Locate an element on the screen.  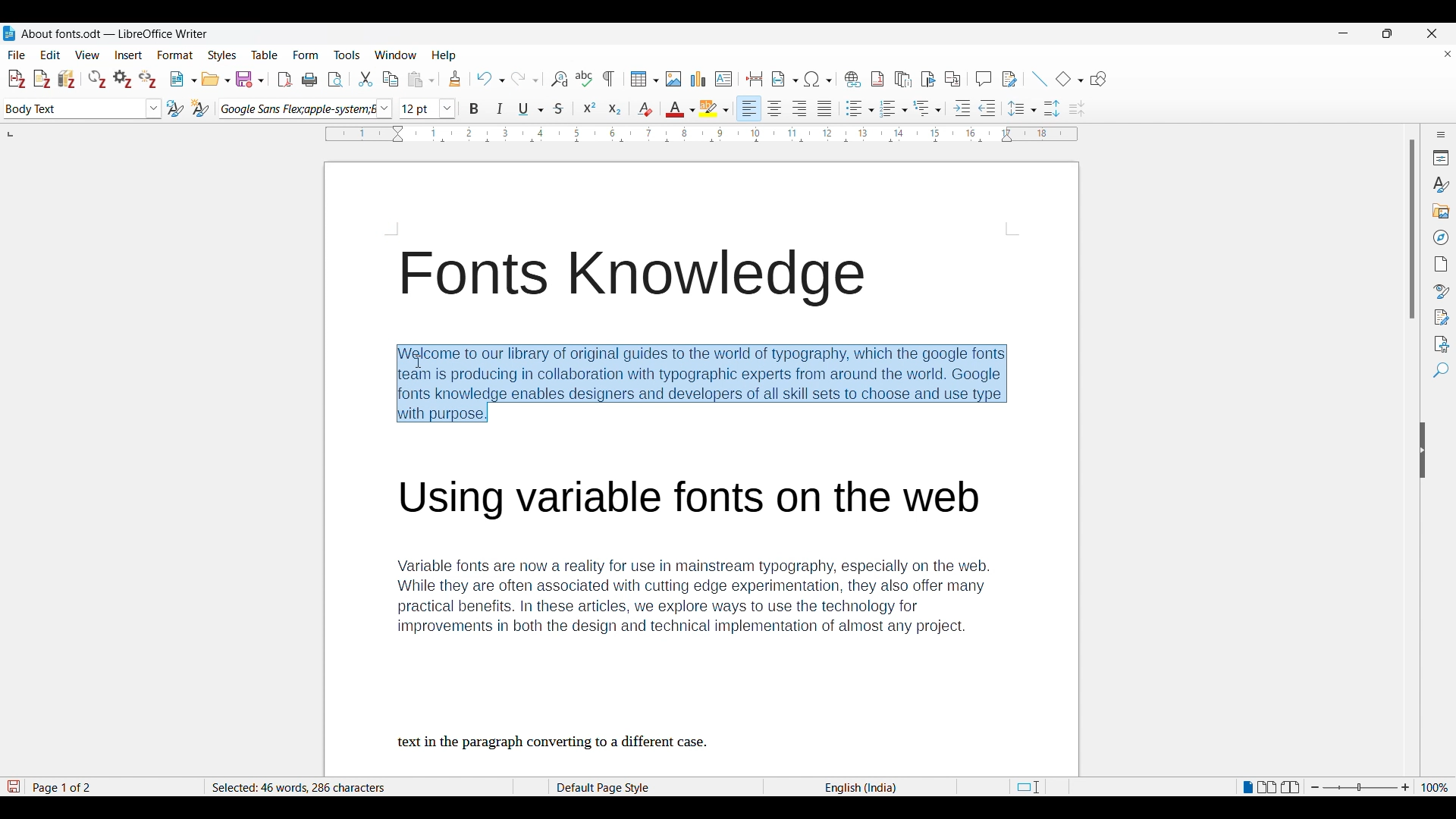
Superscript is located at coordinates (589, 107).